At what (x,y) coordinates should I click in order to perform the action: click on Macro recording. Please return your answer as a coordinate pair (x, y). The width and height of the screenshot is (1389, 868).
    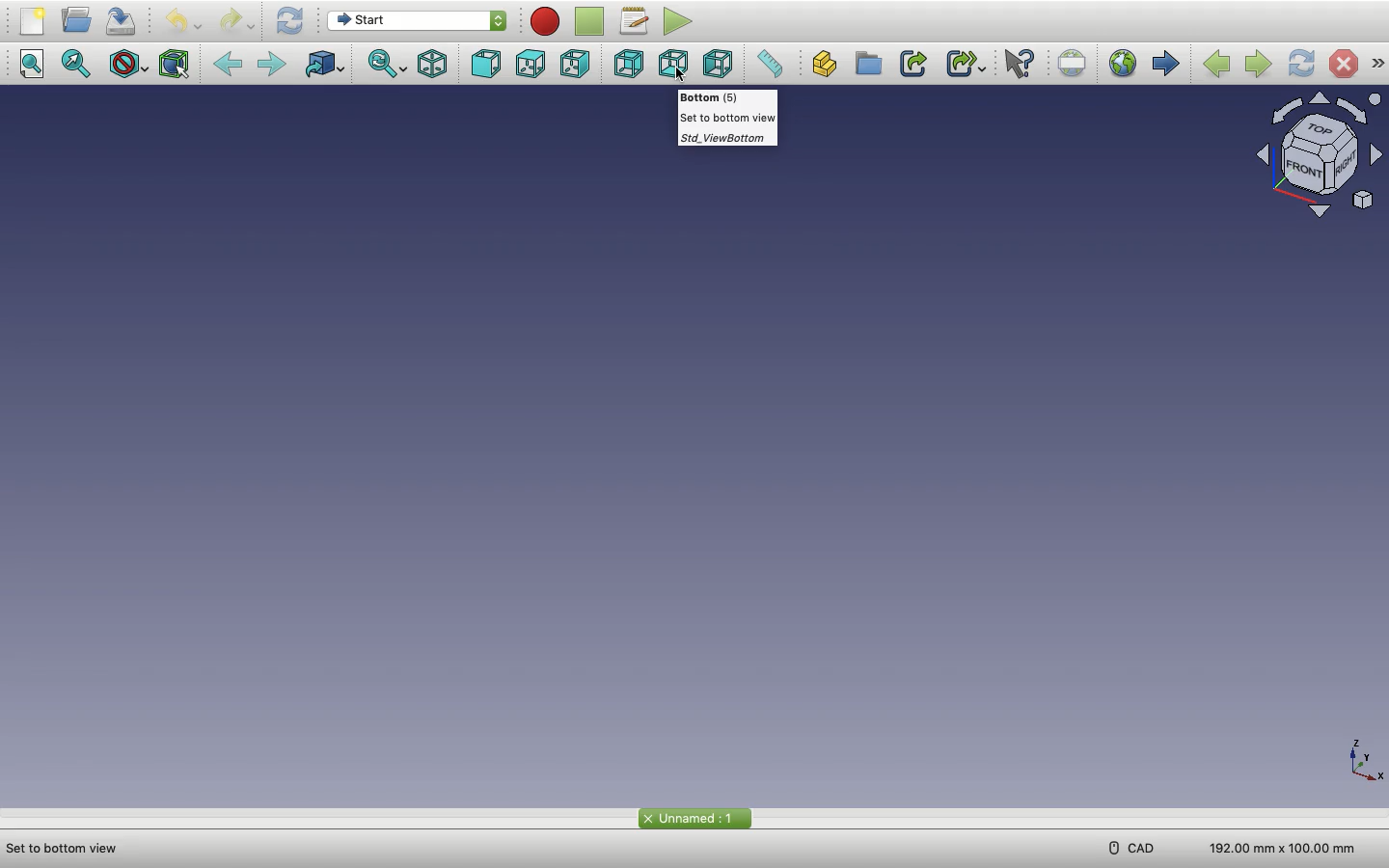
    Looking at the image, I should click on (547, 21).